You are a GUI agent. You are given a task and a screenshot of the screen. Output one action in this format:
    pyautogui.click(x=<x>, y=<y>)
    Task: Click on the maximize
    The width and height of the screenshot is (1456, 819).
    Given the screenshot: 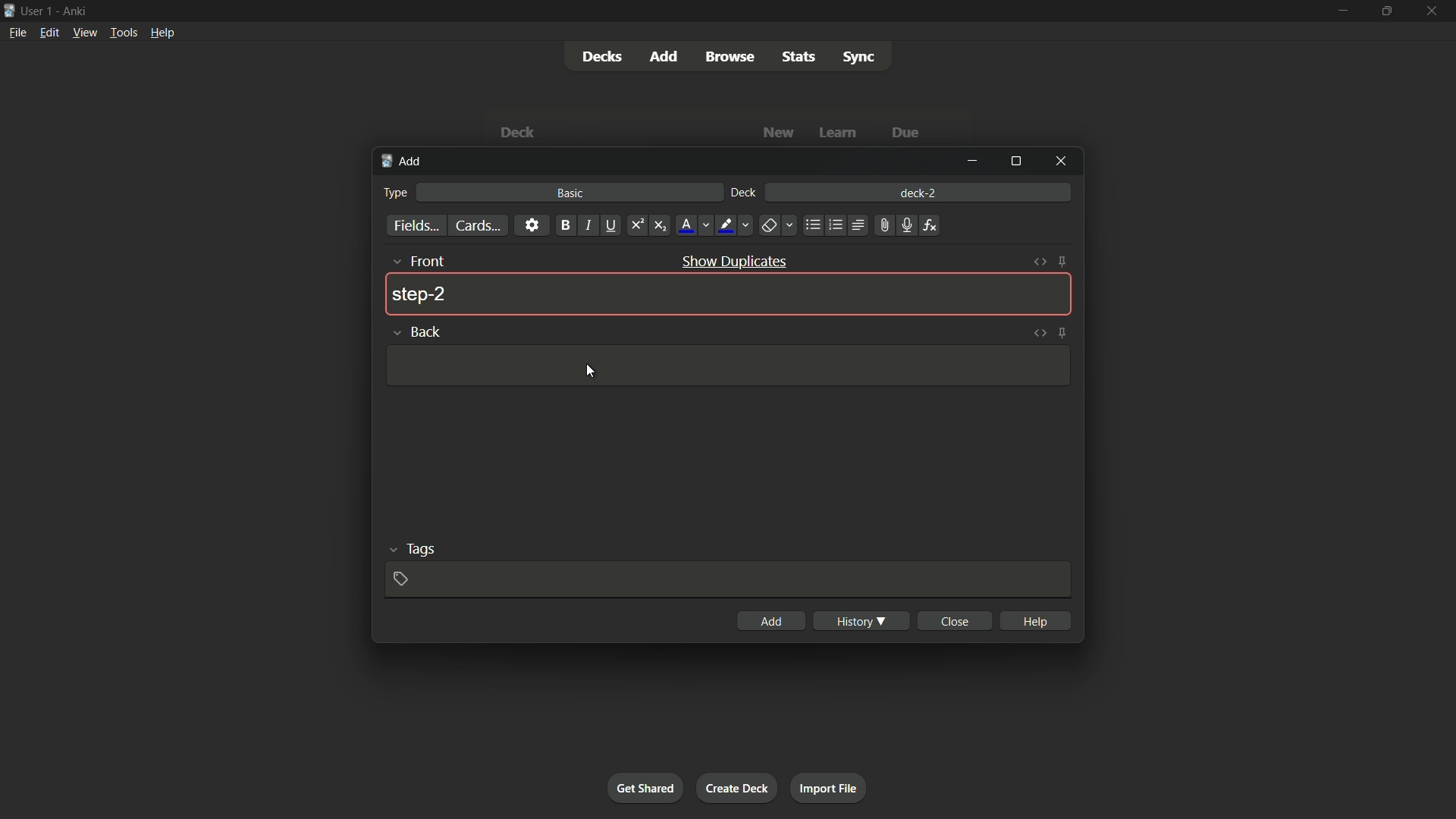 What is the action you would take?
    pyautogui.click(x=1385, y=11)
    